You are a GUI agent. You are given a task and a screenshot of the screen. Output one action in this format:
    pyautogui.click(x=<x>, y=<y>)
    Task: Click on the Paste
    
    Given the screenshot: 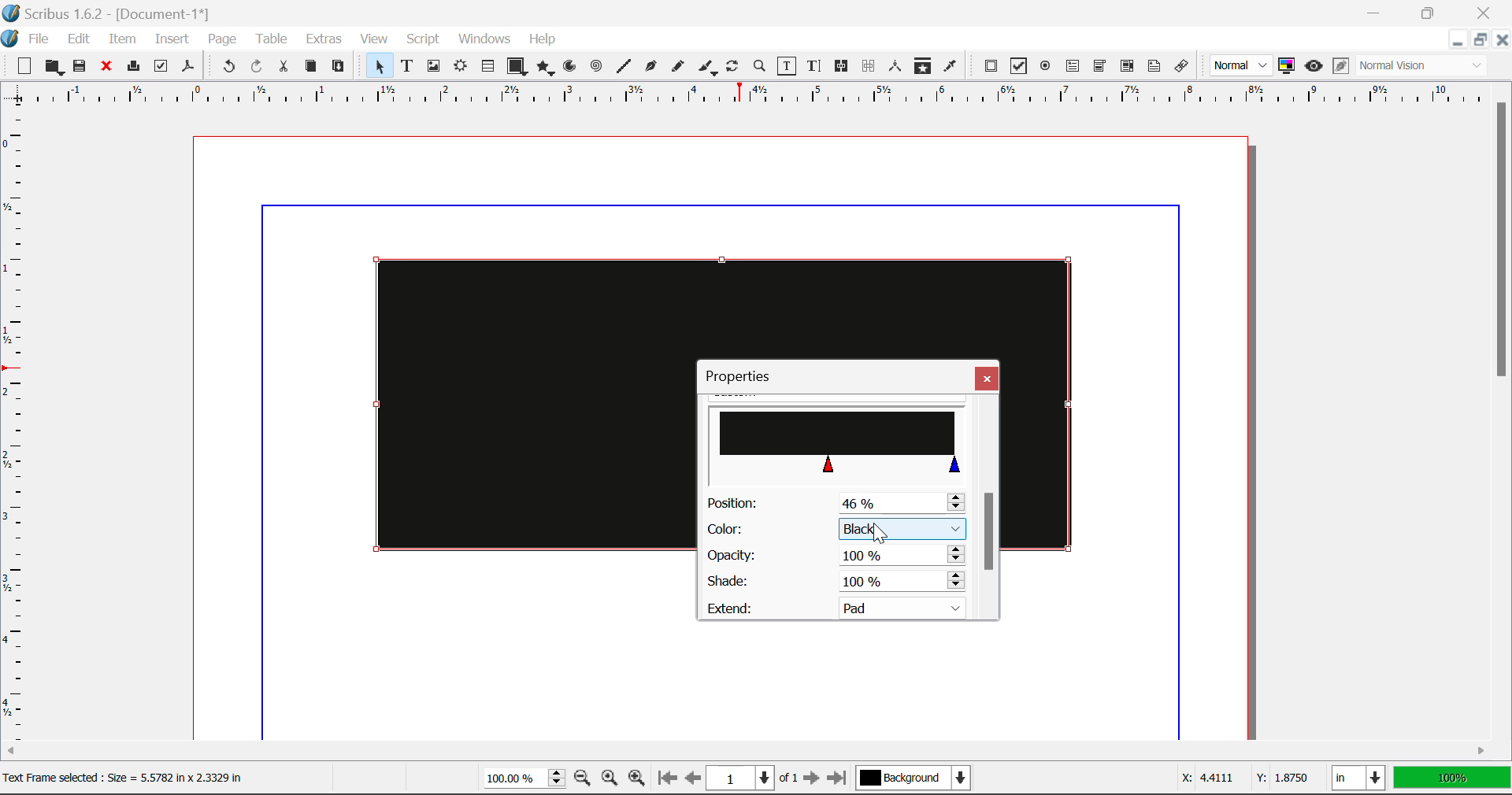 What is the action you would take?
    pyautogui.click(x=339, y=67)
    